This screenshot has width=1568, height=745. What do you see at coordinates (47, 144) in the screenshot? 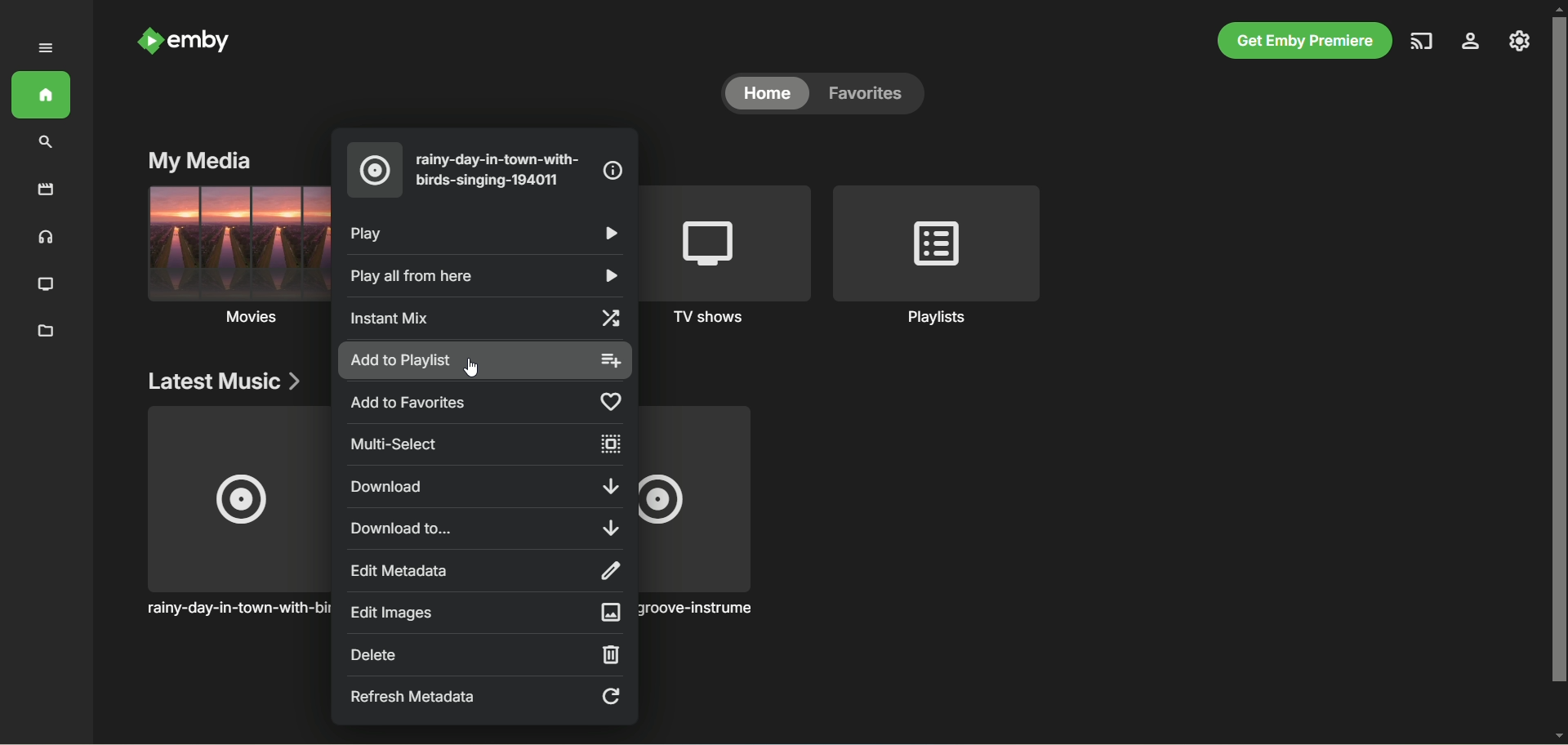
I see `search` at bounding box center [47, 144].